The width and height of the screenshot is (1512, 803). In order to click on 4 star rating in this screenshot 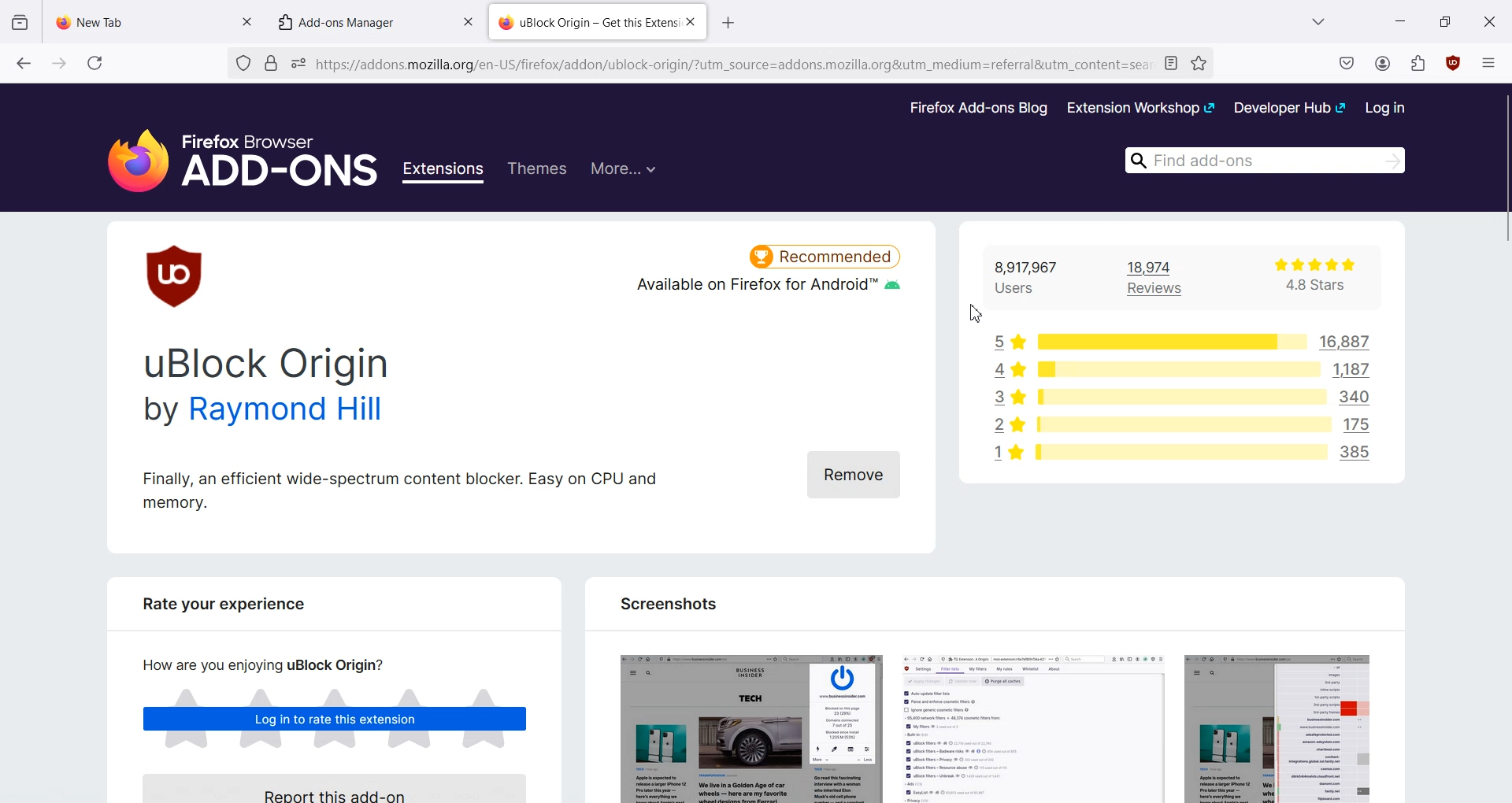, I will do `click(1001, 368)`.